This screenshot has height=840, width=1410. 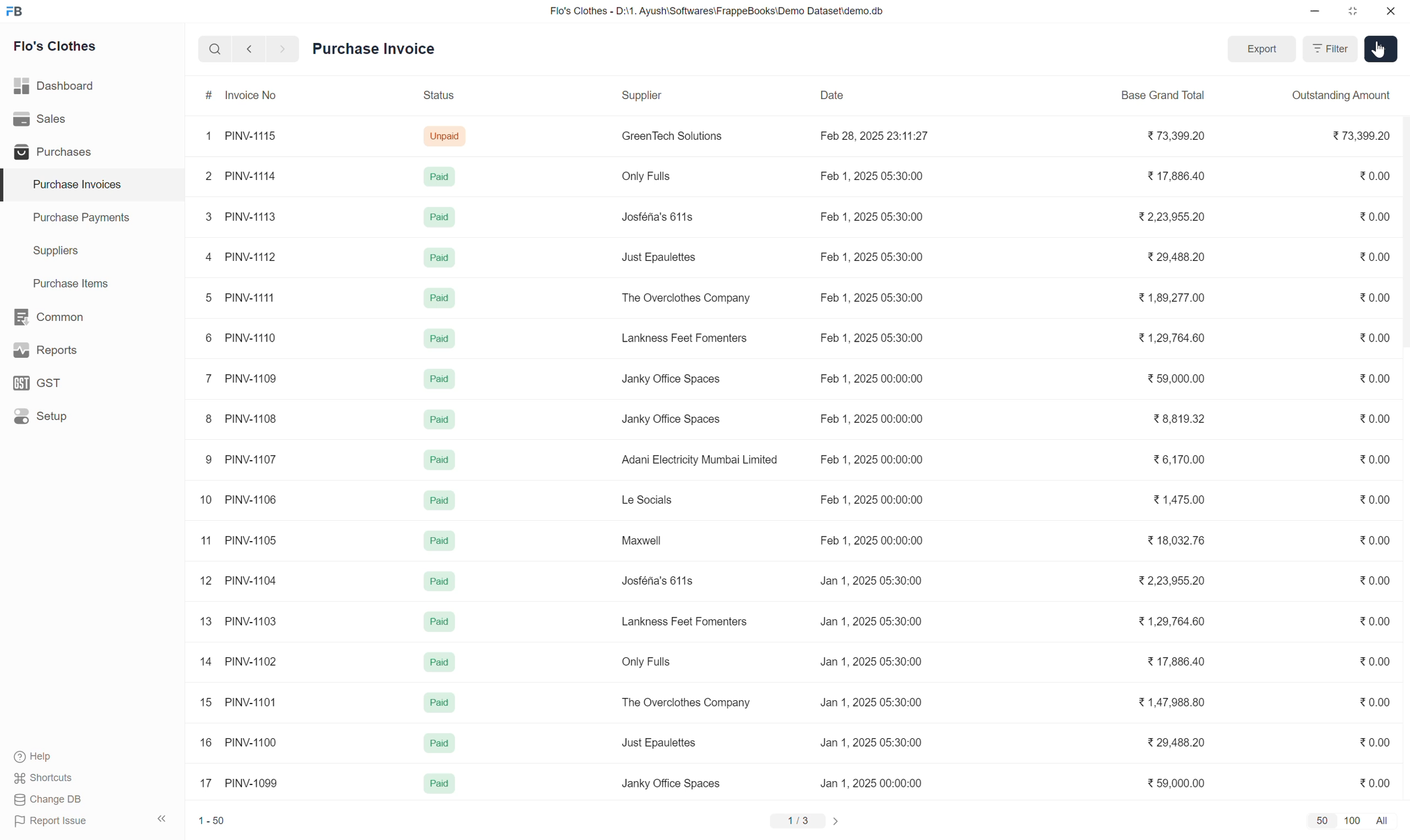 What do you see at coordinates (656, 216) in the screenshot?
I see `Josféna's 611s` at bounding box center [656, 216].